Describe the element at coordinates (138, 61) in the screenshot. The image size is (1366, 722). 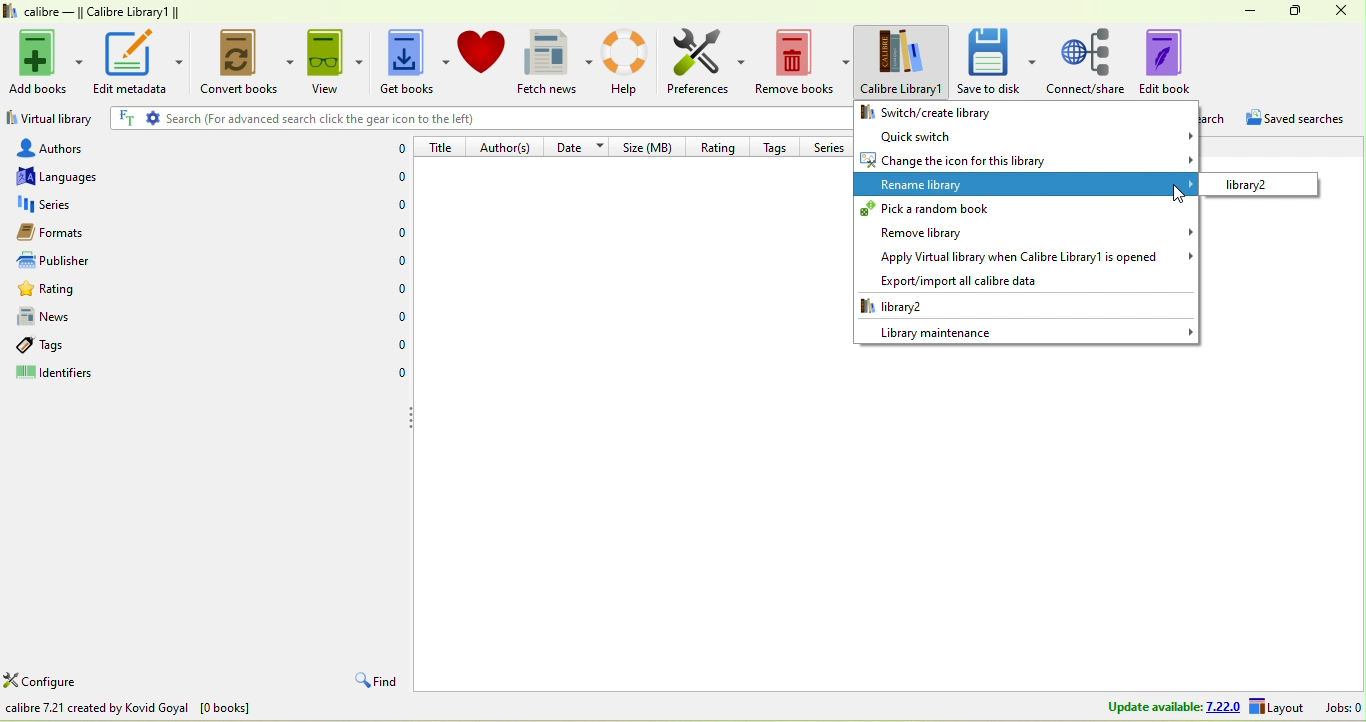
I see `edit metadata` at that location.